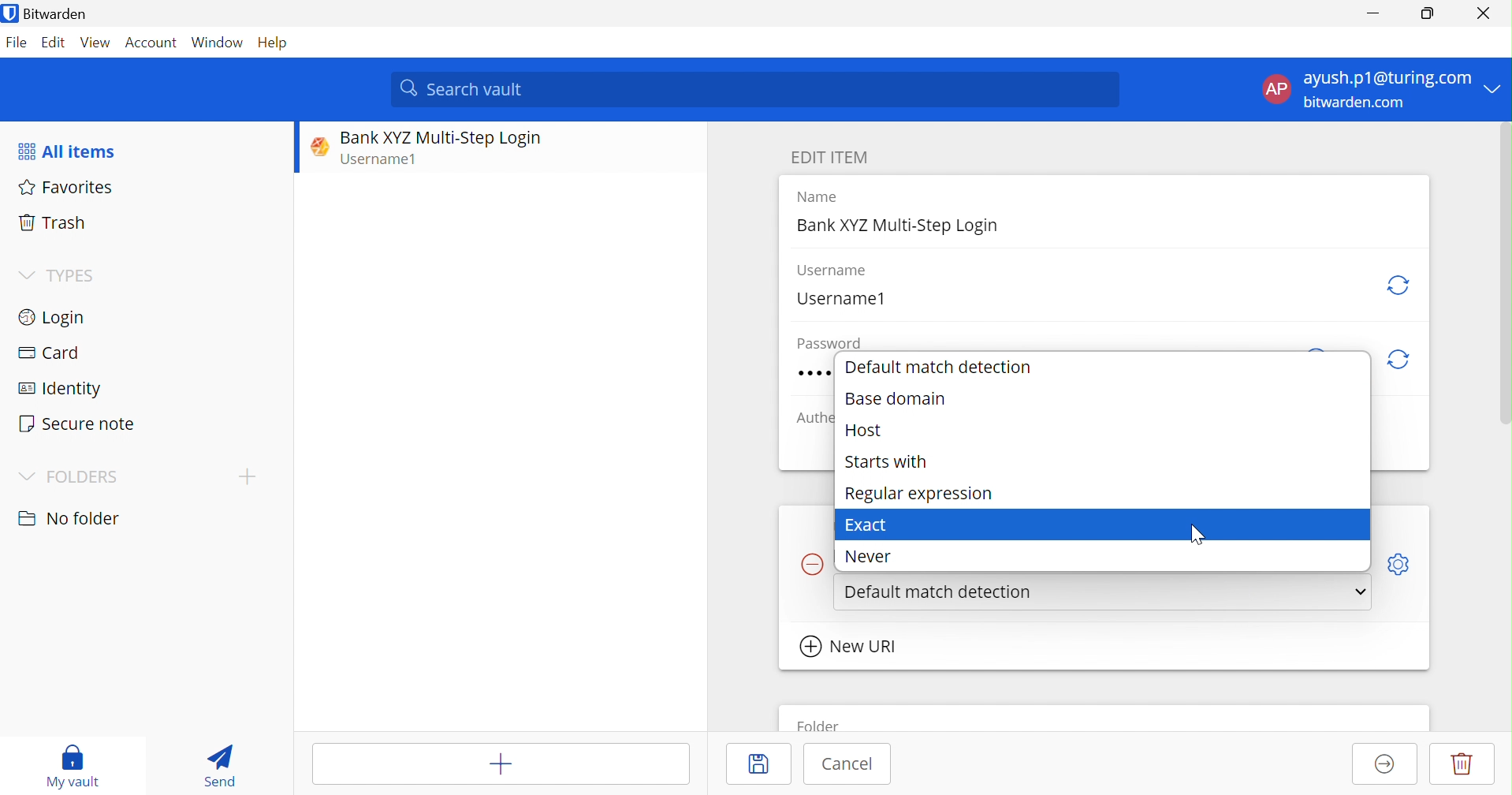 The width and height of the screenshot is (1512, 795). I want to click on Drop Down, so click(1358, 595).